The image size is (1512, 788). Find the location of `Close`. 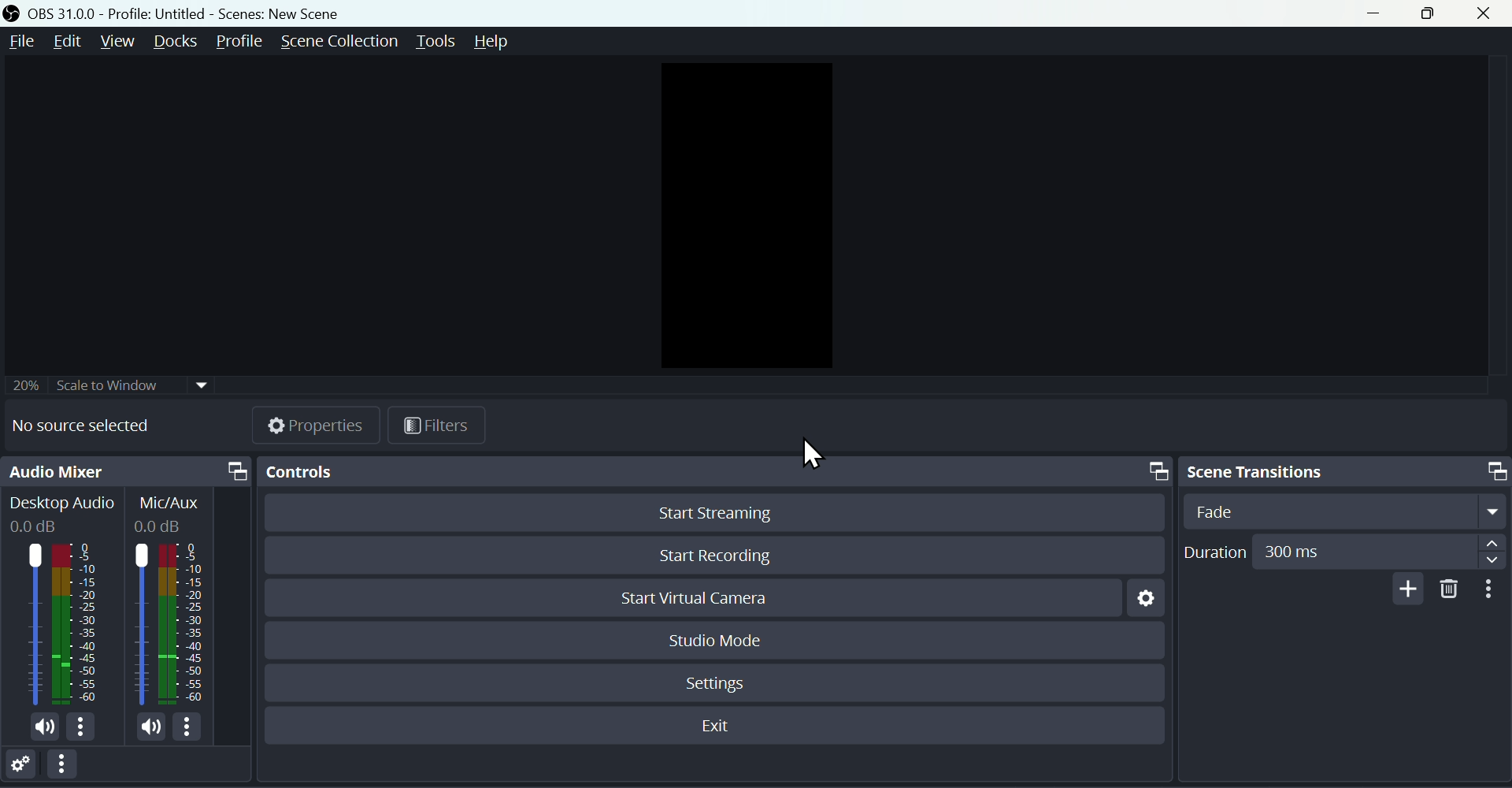

Close is located at coordinates (1492, 13).